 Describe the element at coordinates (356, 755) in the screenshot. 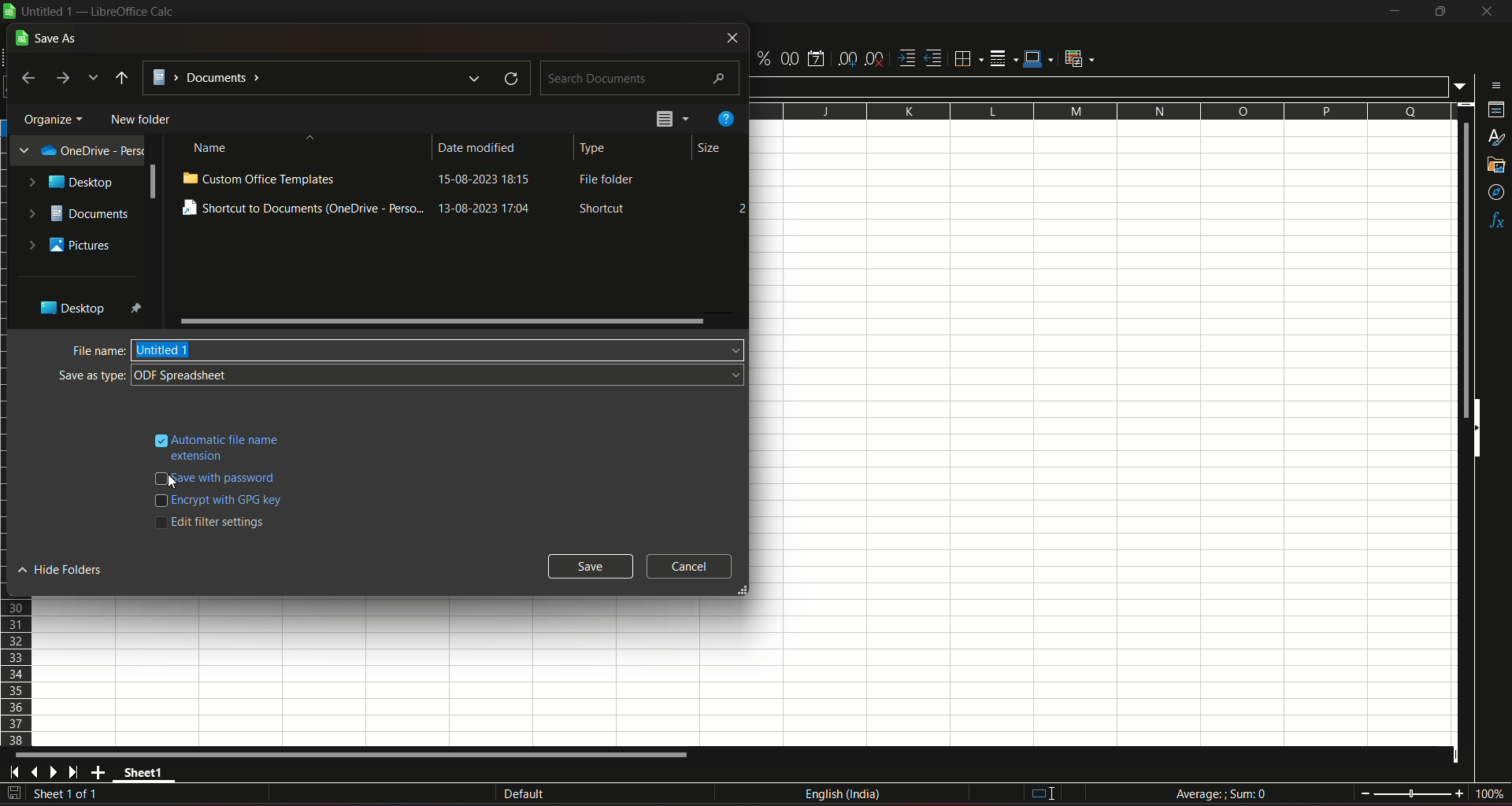

I see `horizontal scroll` at that location.